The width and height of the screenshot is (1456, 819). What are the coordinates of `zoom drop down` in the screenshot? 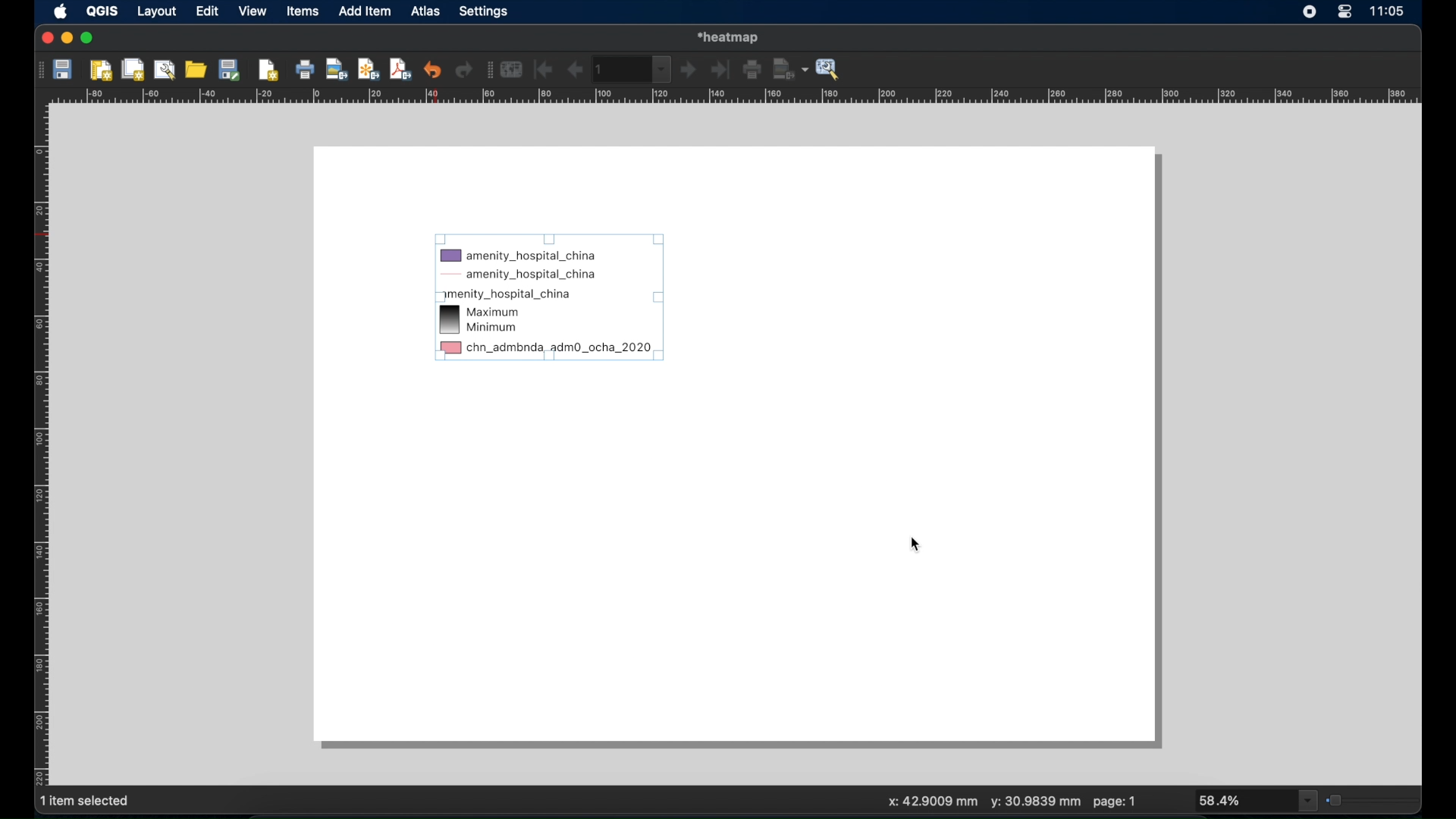 It's located at (1258, 801).